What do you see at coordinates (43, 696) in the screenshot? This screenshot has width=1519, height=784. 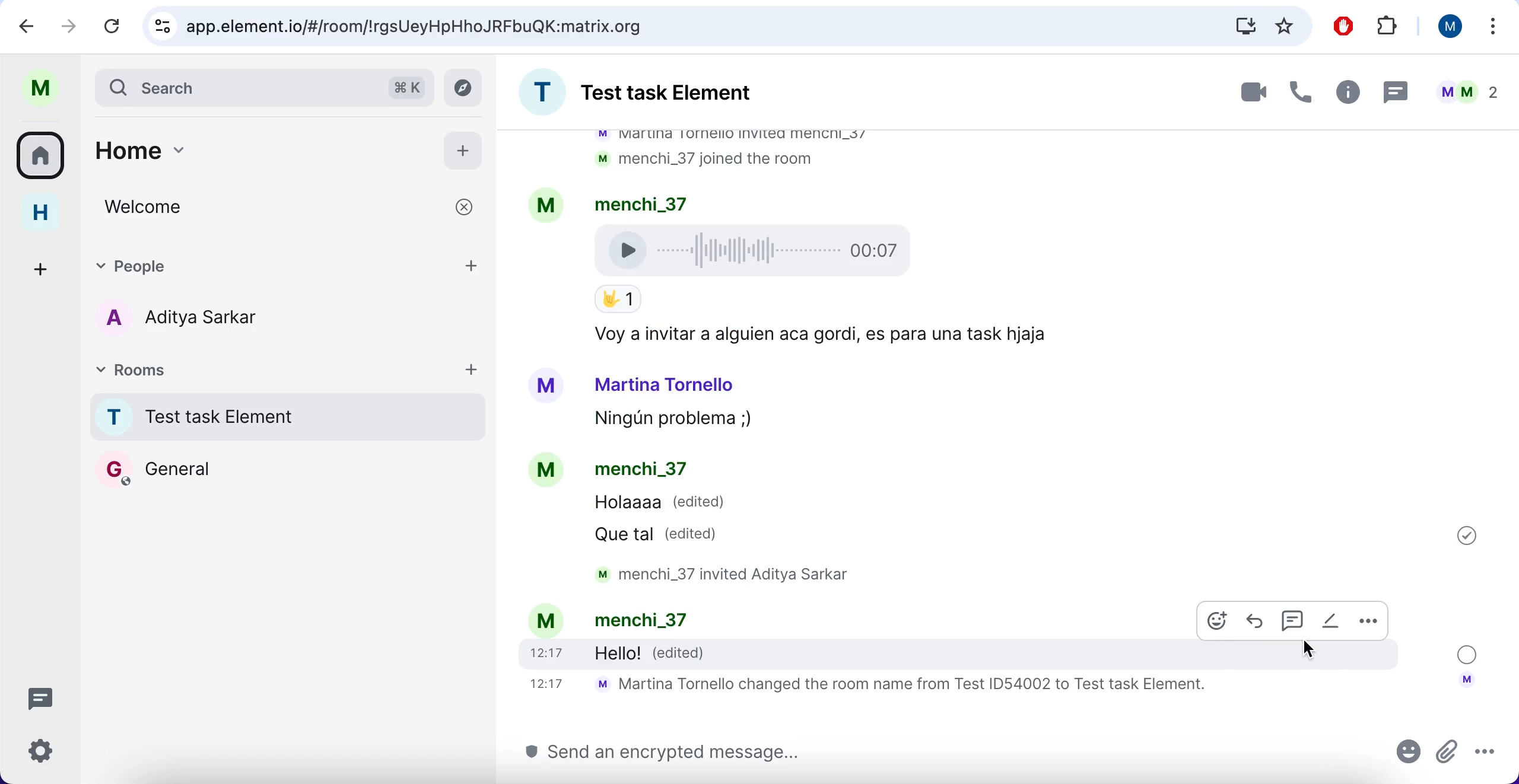 I see `threads` at bounding box center [43, 696].